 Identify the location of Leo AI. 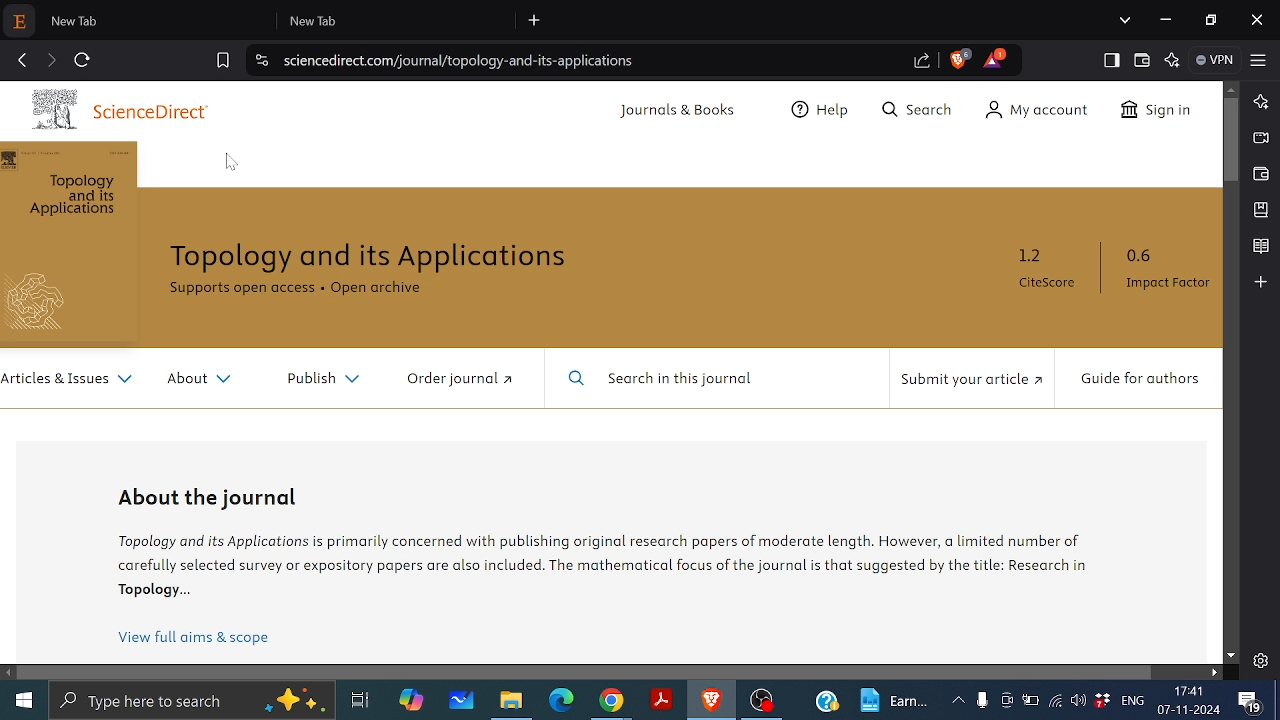
(1173, 61).